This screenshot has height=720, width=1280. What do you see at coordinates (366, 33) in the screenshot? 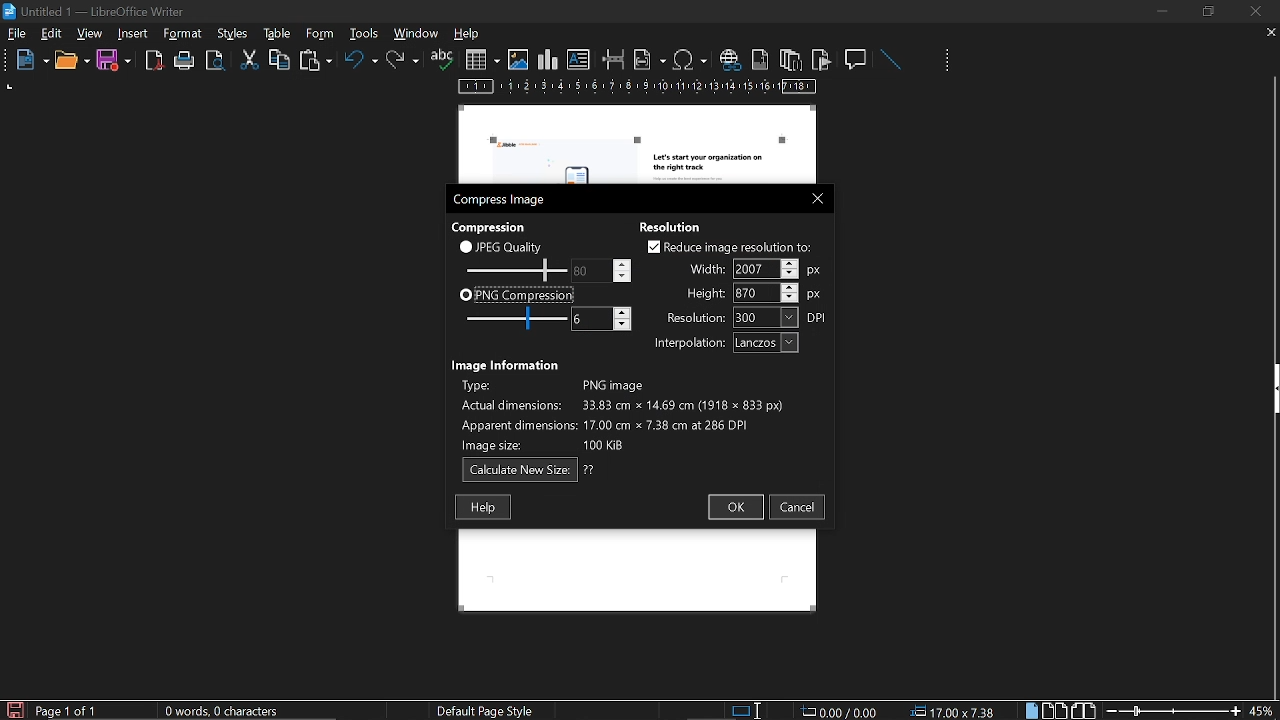
I see `form` at bounding box center [366, 33].